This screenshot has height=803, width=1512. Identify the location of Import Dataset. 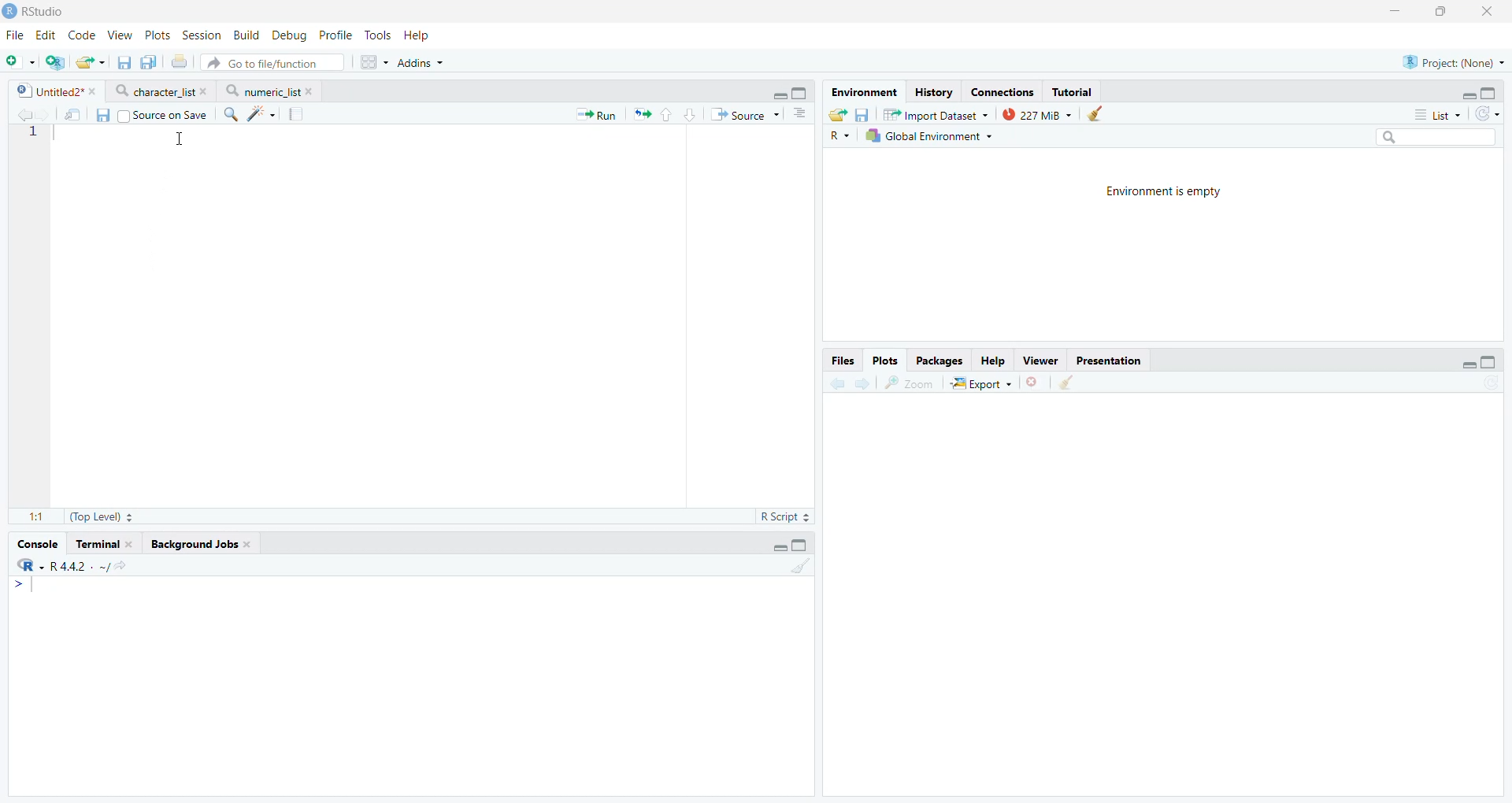
(936, 114).